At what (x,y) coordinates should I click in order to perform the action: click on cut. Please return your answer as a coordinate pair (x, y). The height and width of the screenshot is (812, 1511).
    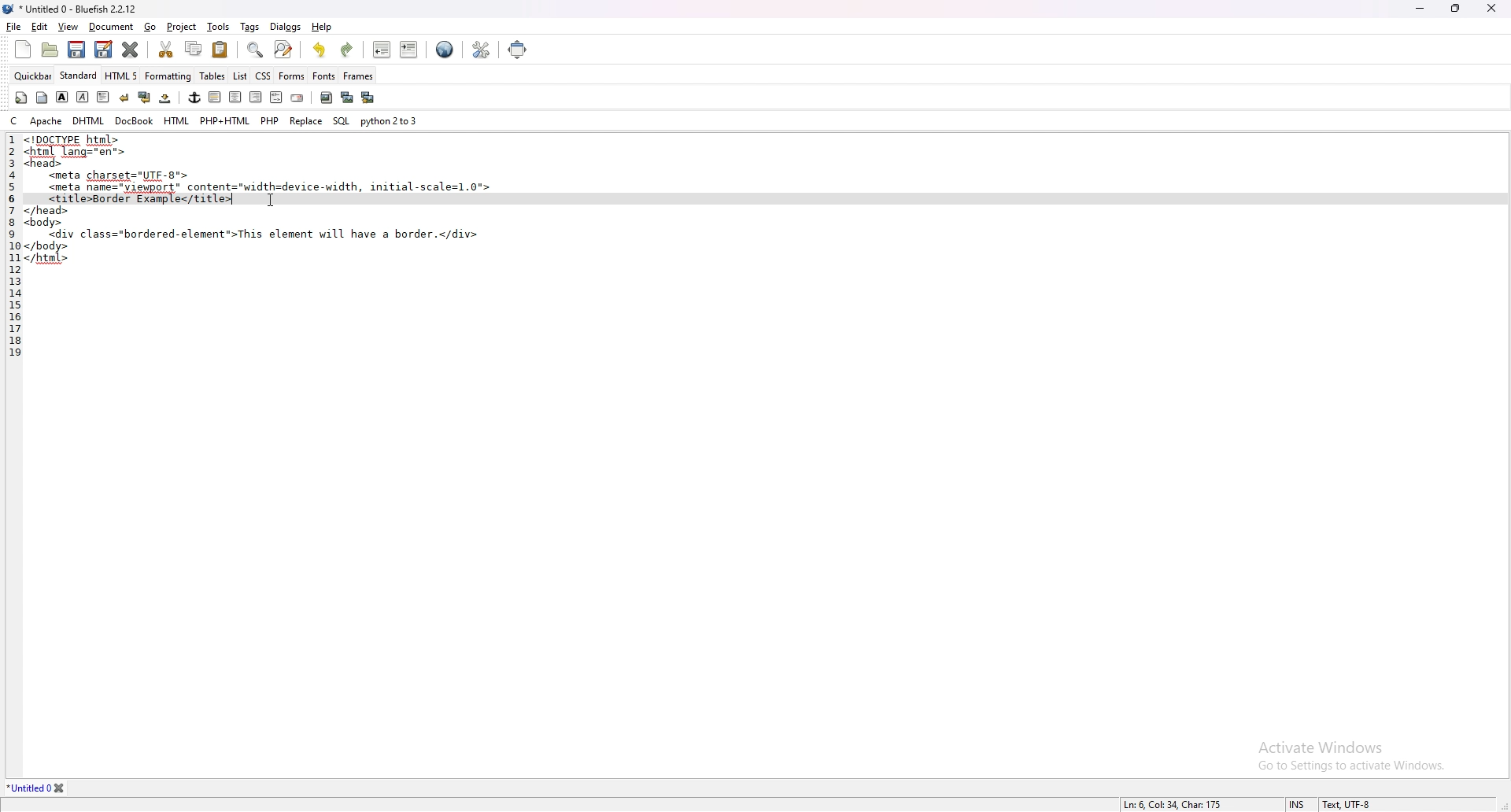
    Looking at the image, I should click on (165, 48).